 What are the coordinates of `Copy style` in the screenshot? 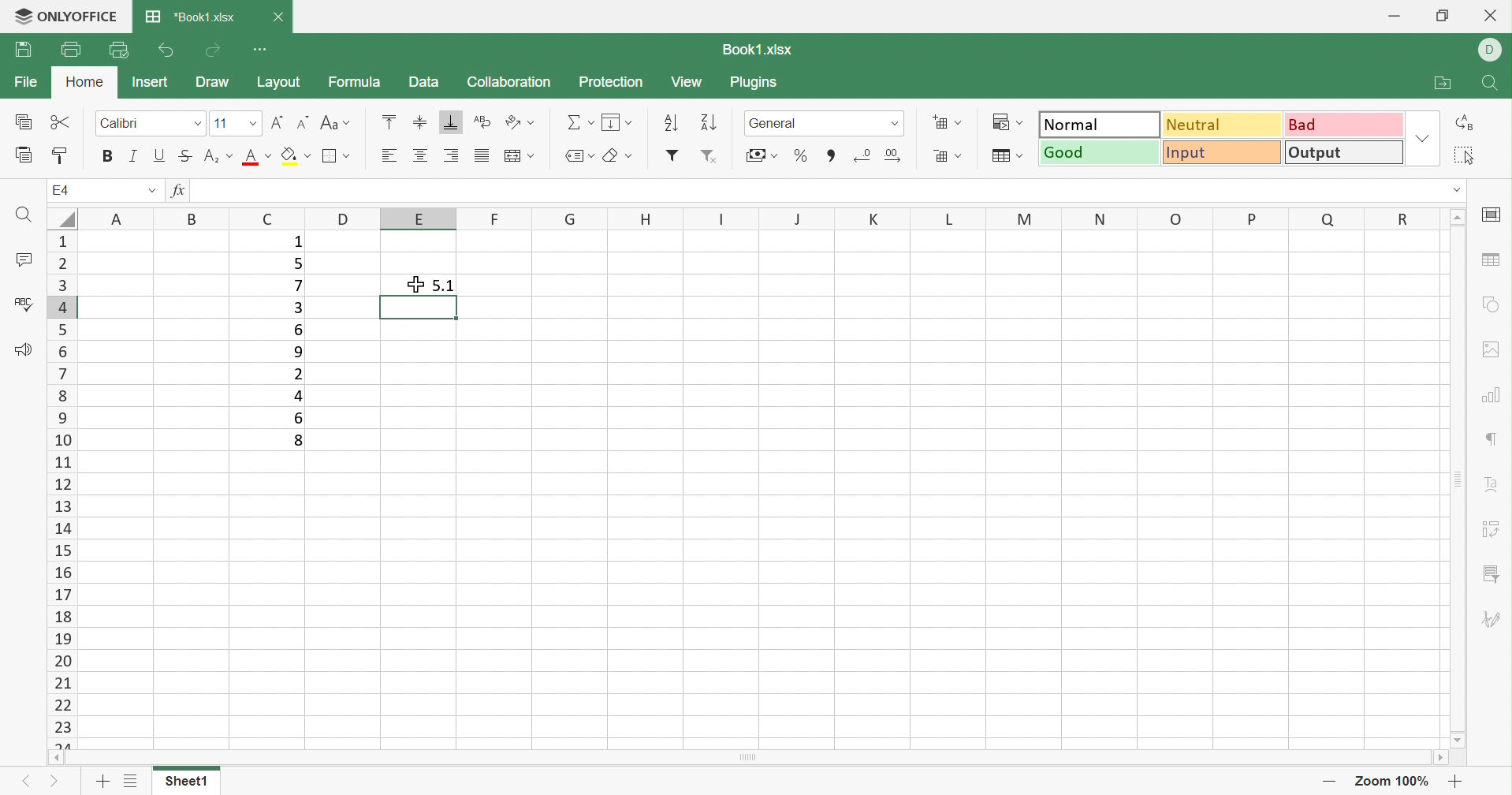 It's located at (64, 156).